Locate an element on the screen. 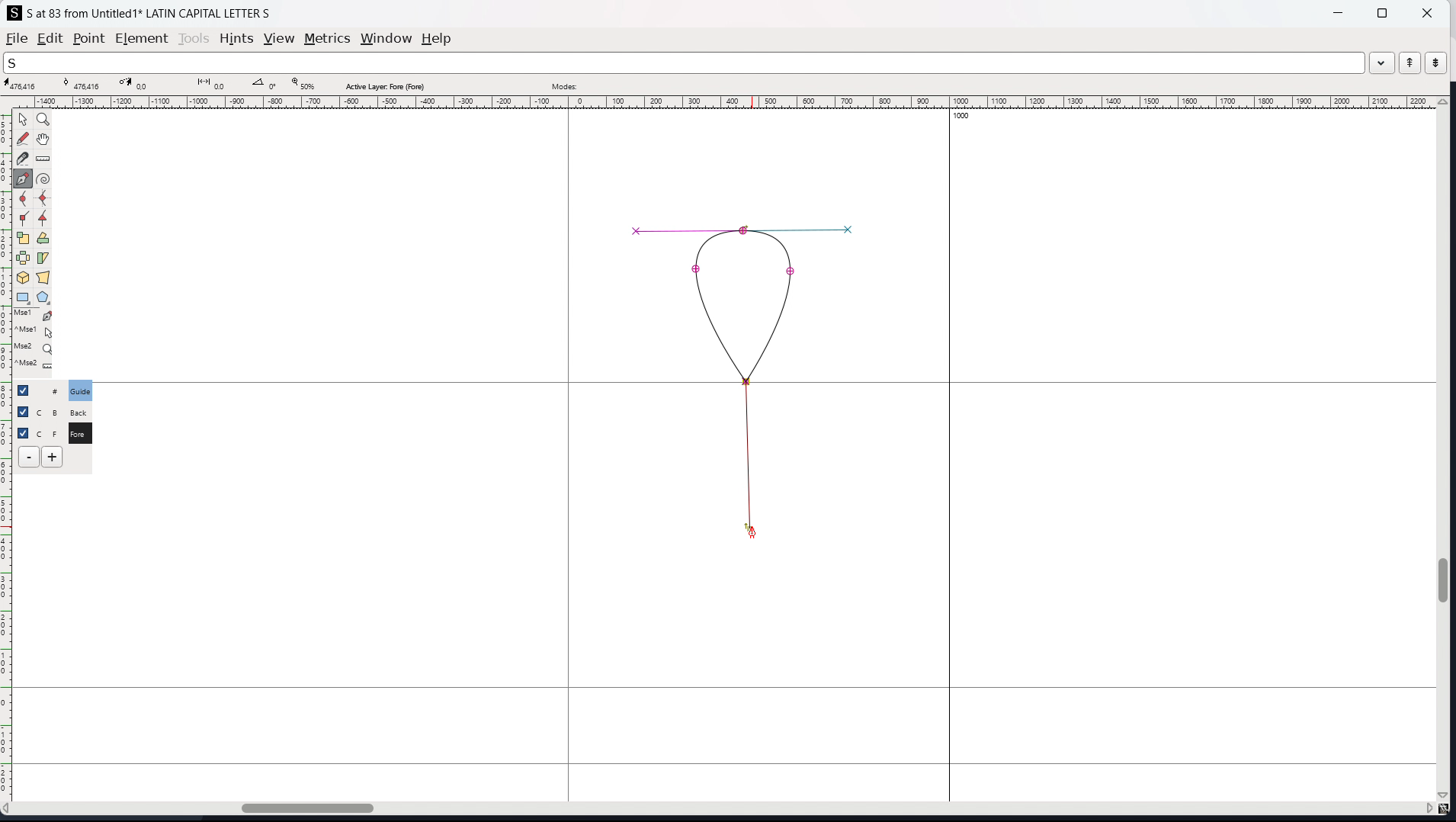 This screenshot has height=822, width=1456. Mse2 is located at coordinates (35, 348).